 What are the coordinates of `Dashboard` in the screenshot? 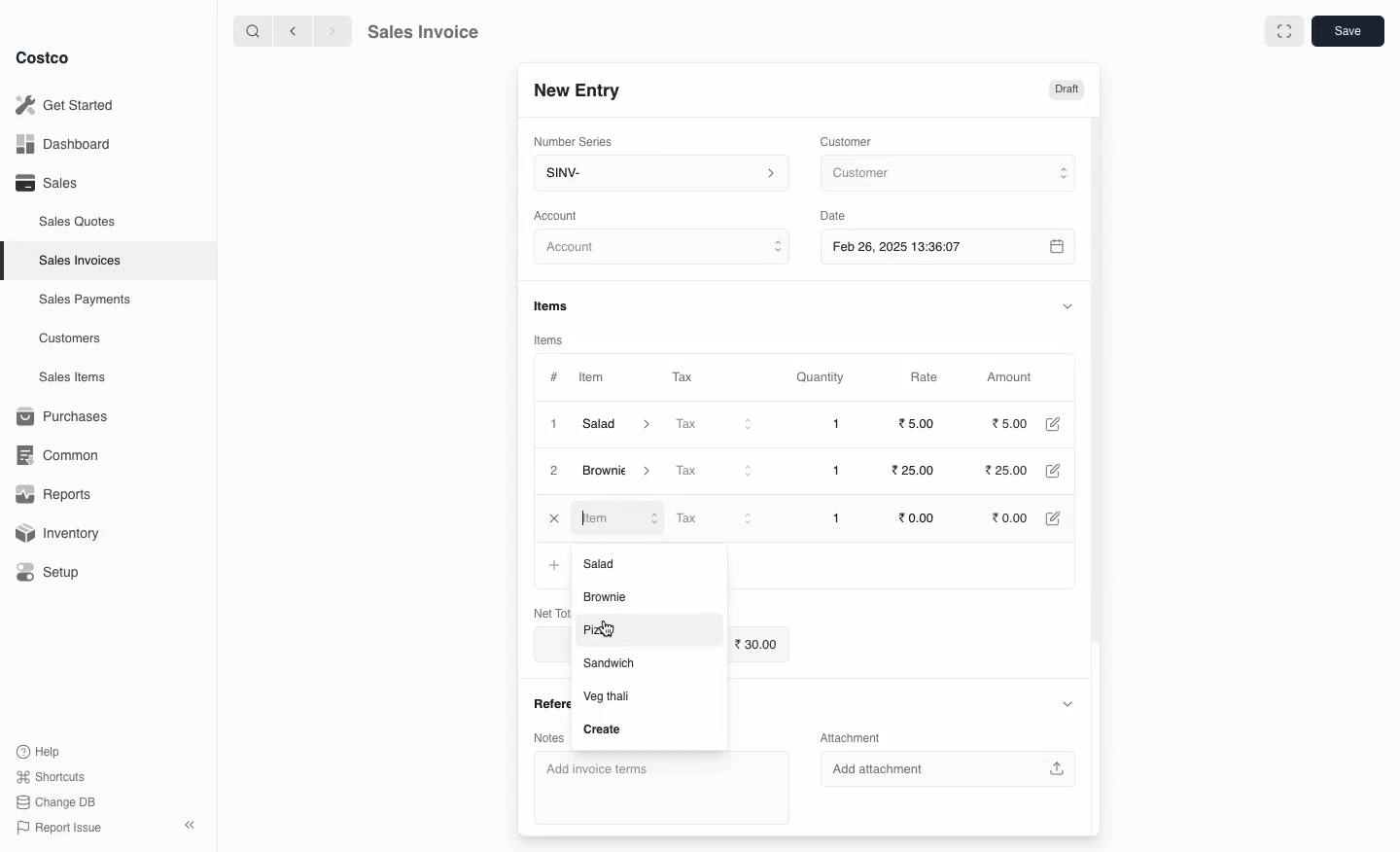 It's located at (60, 145).